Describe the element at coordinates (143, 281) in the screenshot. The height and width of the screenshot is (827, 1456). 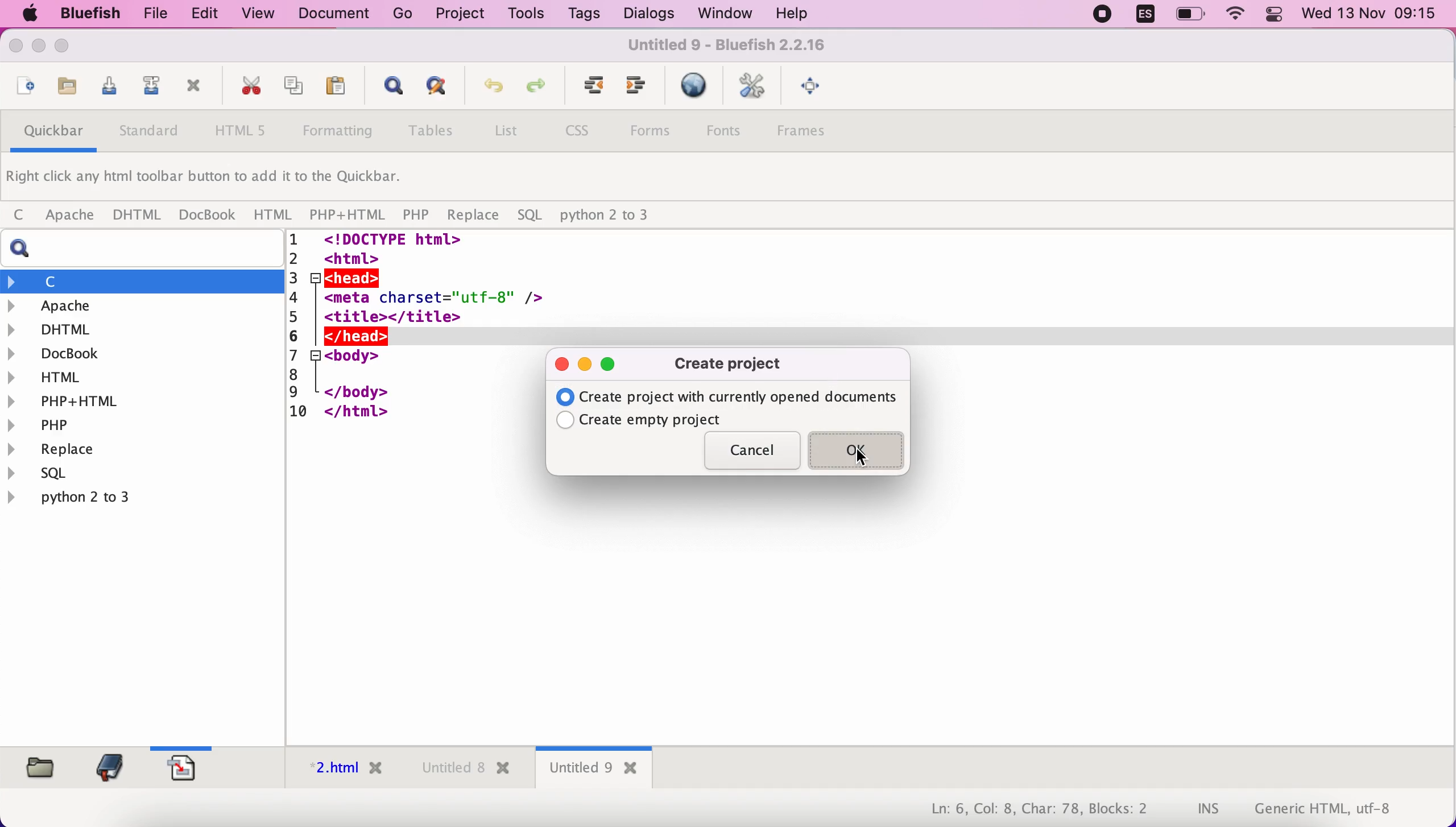
I see `c` at that location.